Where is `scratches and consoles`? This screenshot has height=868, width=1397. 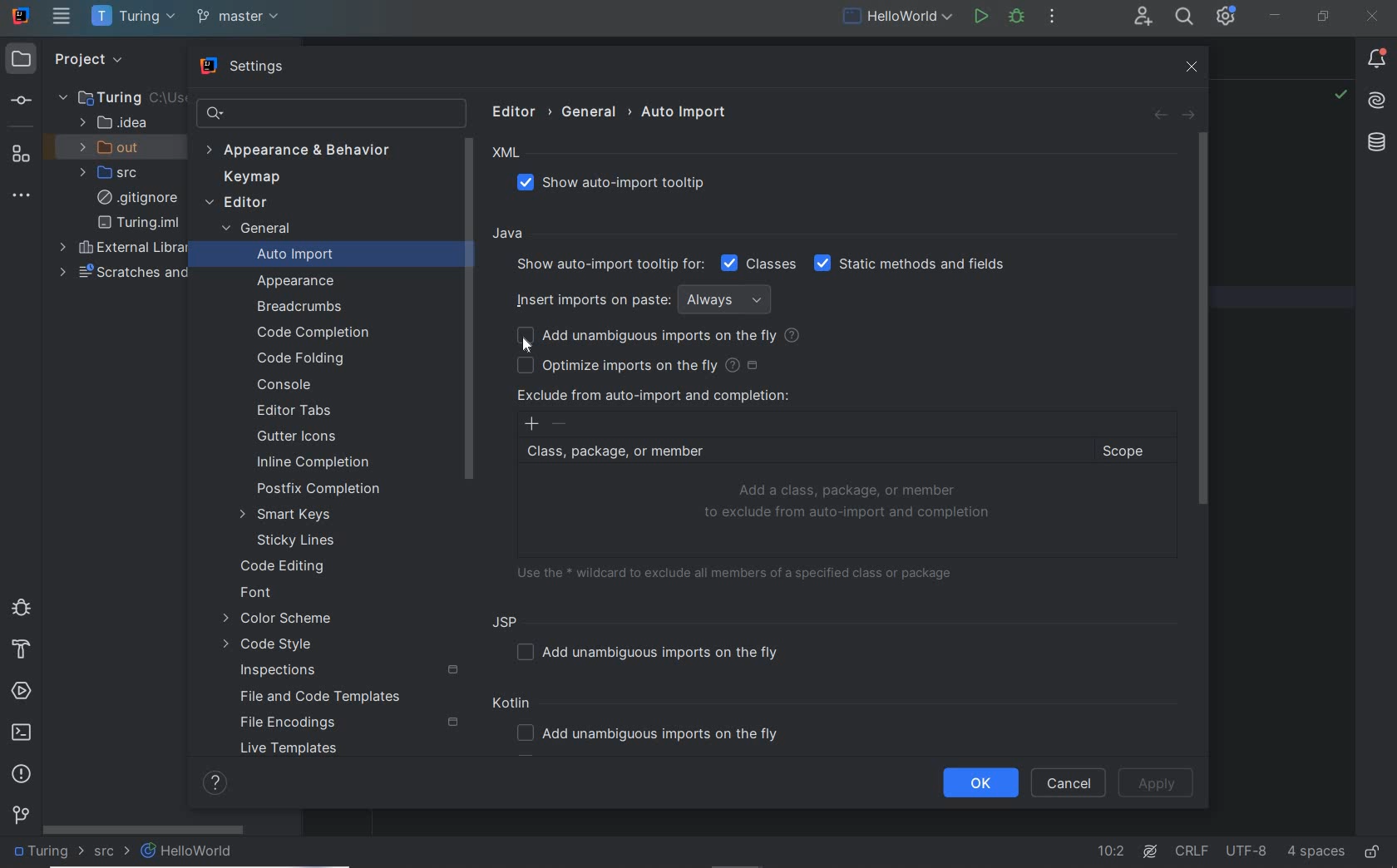 scratches and consoles is located at coordinates (131, 272).